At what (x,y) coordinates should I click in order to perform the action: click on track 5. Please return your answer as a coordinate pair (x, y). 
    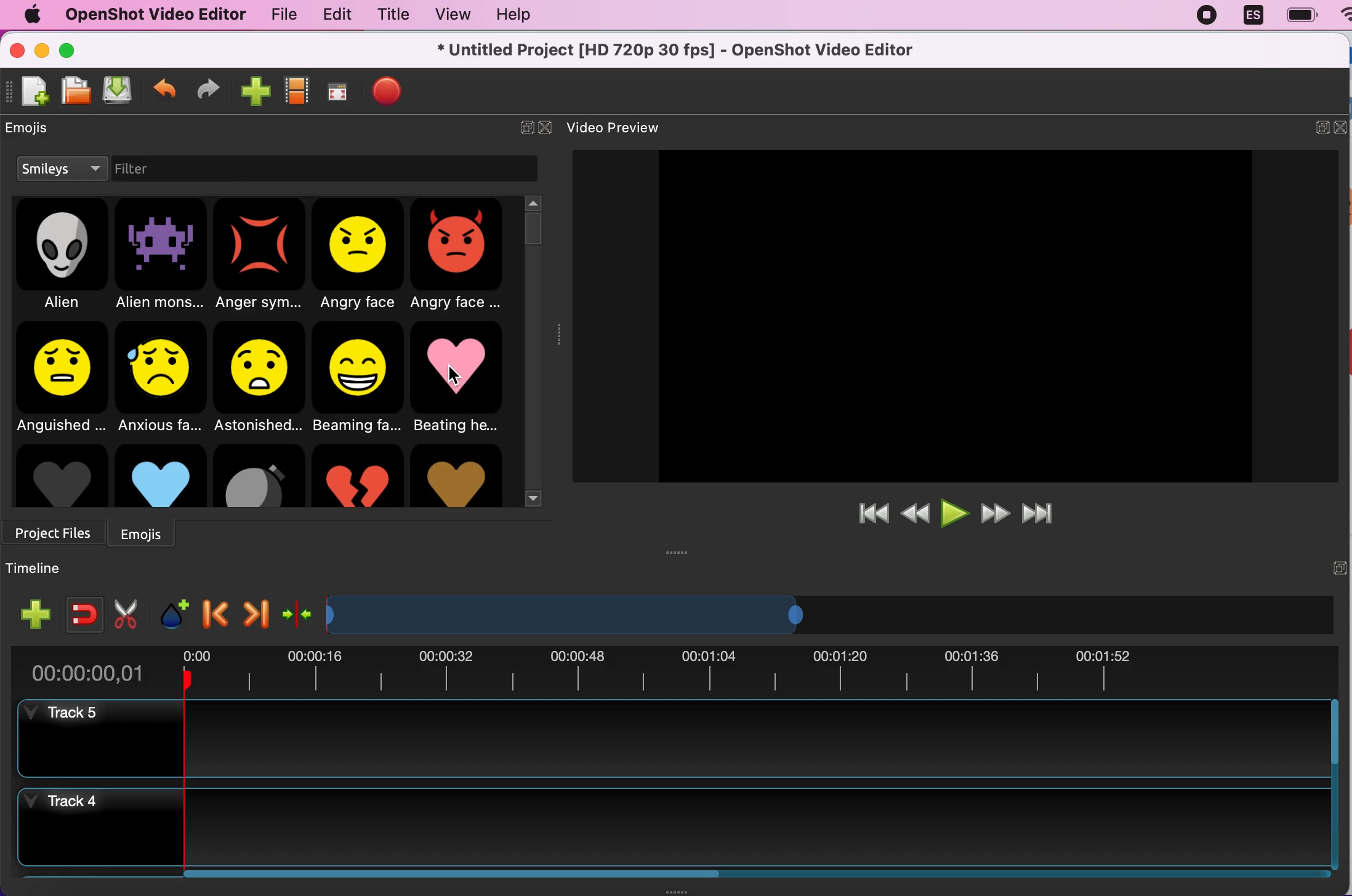
    Looking at the image, I should click on (671, 739).